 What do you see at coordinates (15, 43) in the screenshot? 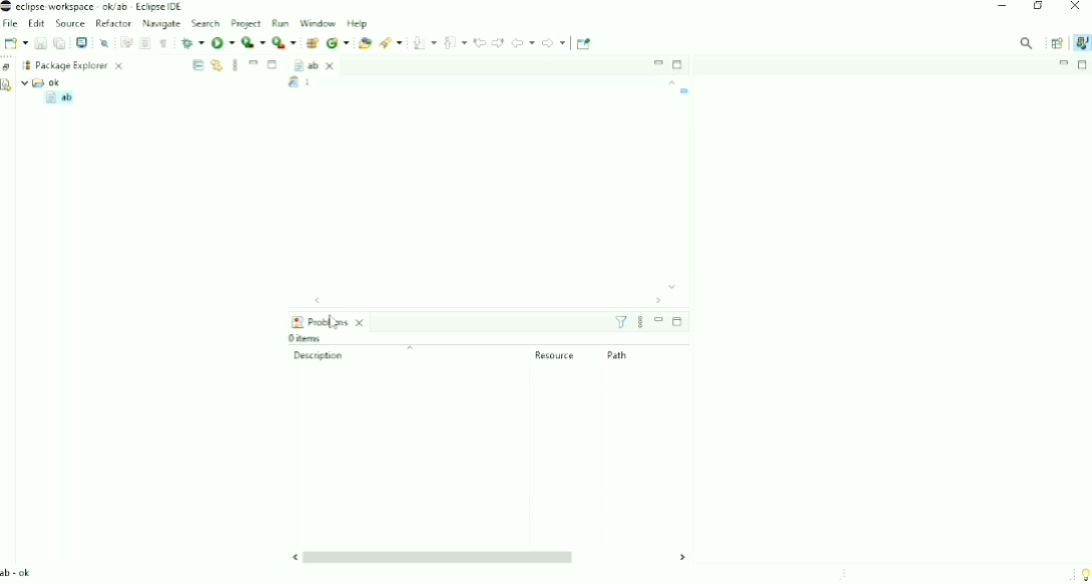
I see `New` at bounding box center [15, 43].